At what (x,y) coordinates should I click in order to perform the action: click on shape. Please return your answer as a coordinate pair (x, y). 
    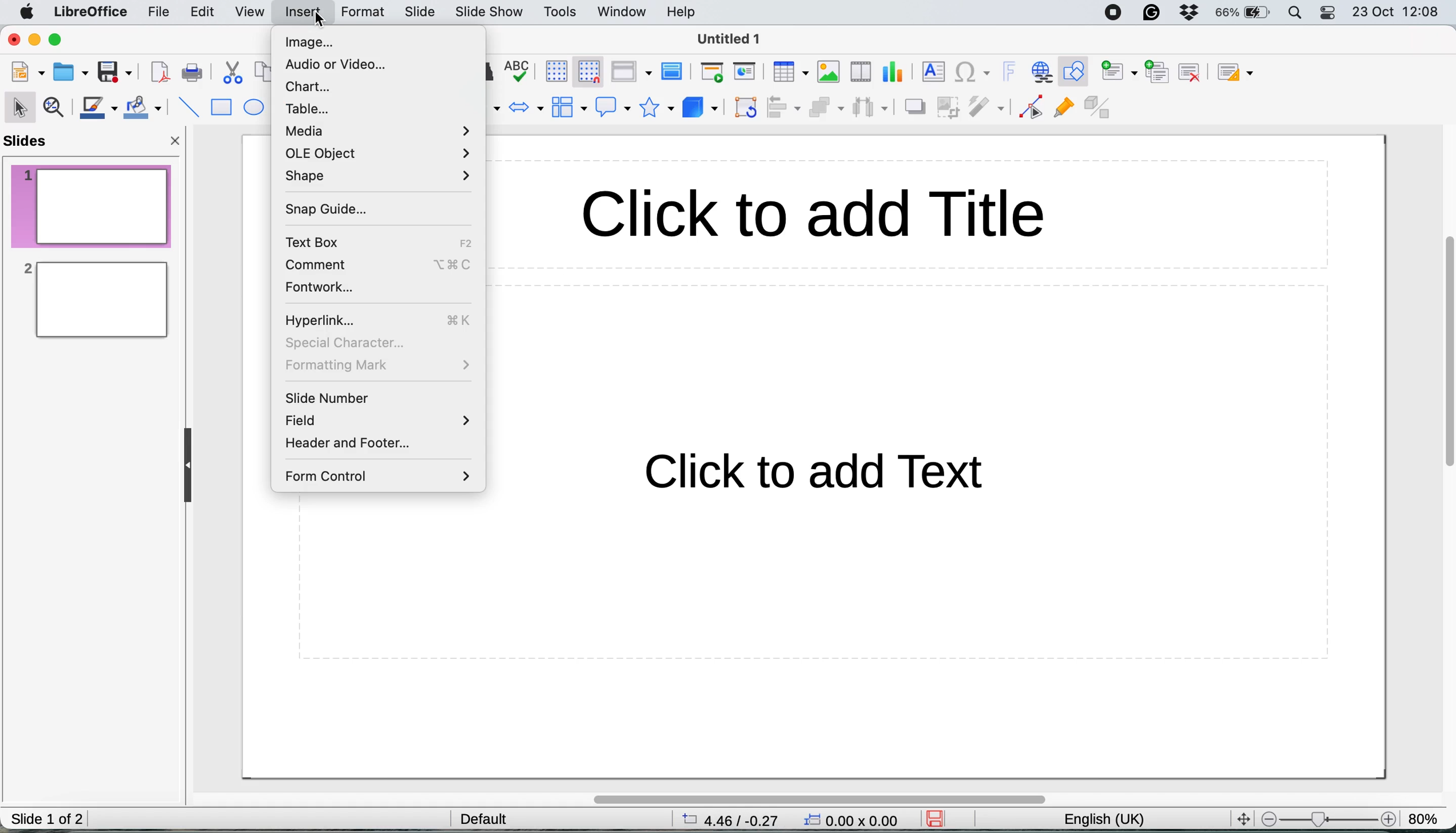
    Looking at the image, I should click on (376, 176).